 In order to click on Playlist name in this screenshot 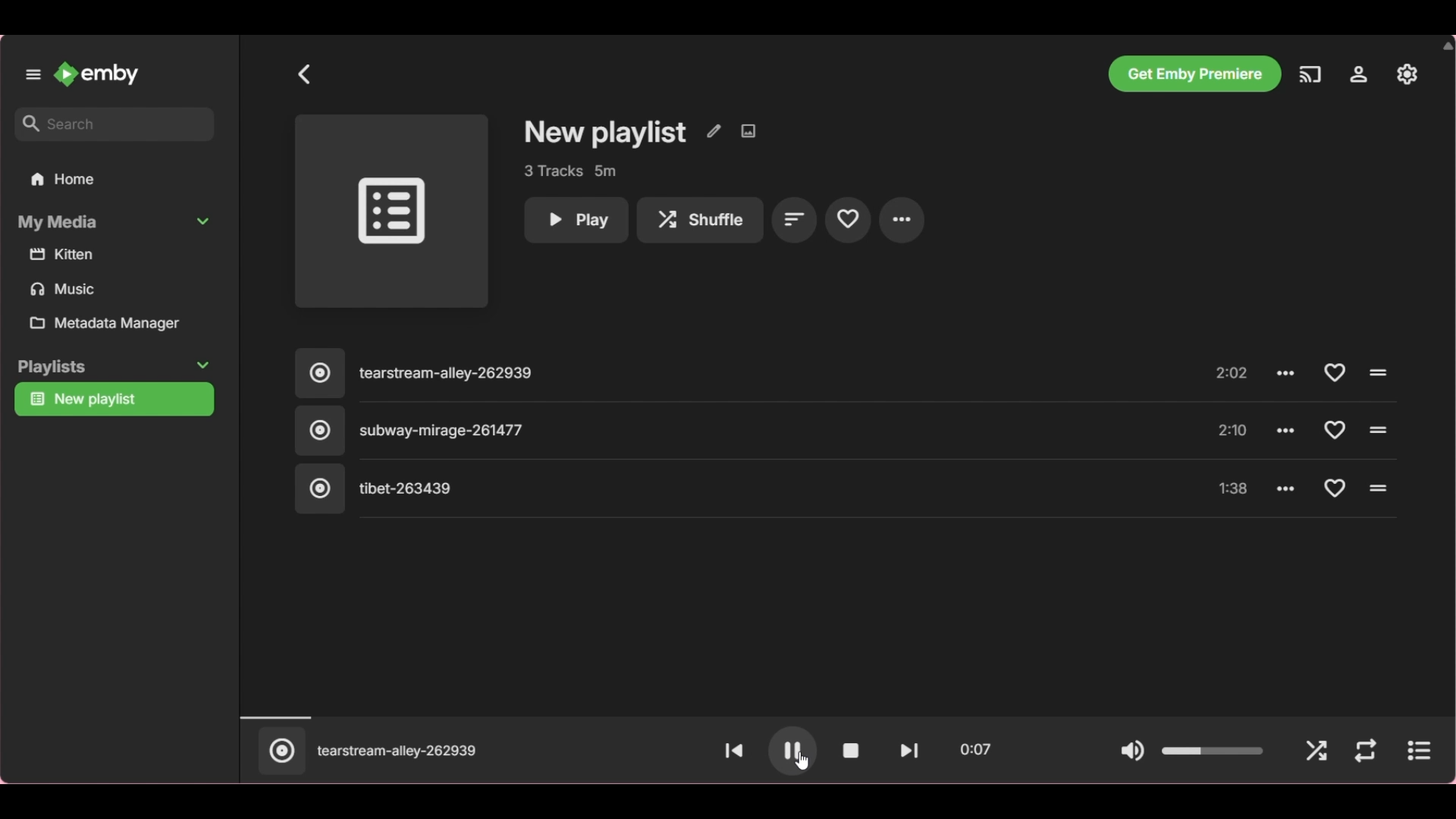, I will do `click(606, 133)`.